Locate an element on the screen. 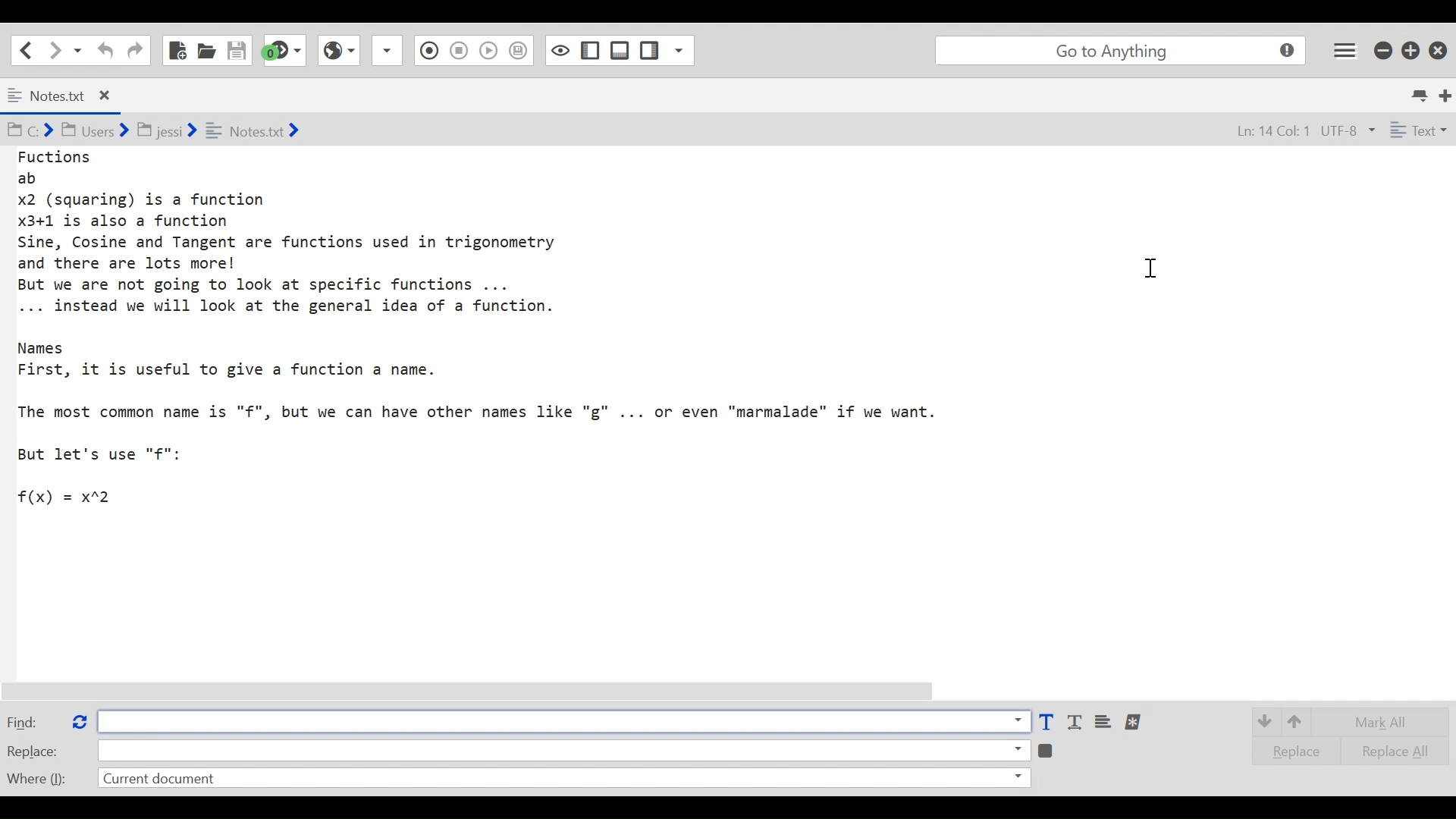 The image size is (1456, 819). Restore is located at coordinates (1411, 49).